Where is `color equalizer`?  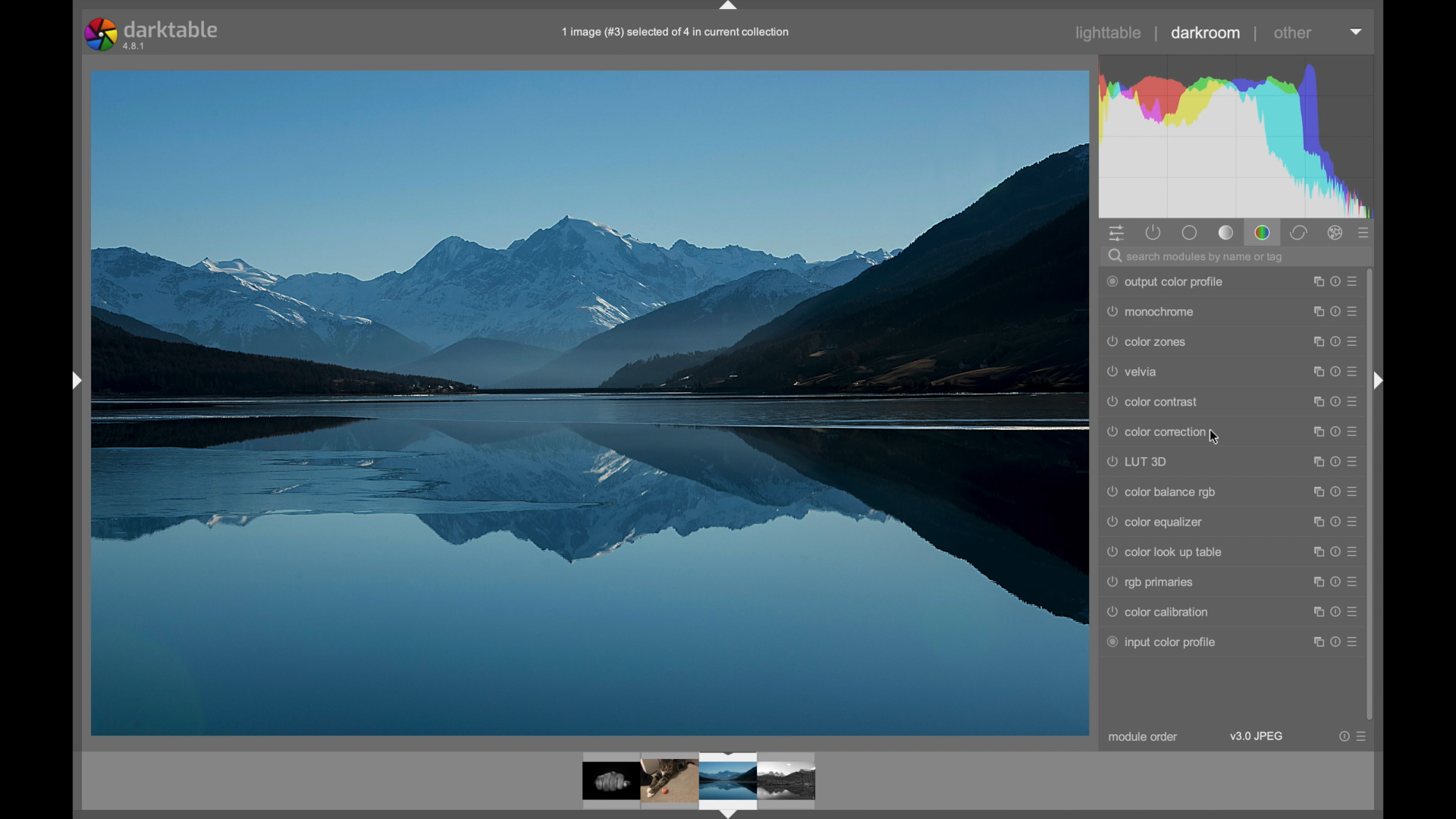 color equalizer is located at coordinates (1156, 522).